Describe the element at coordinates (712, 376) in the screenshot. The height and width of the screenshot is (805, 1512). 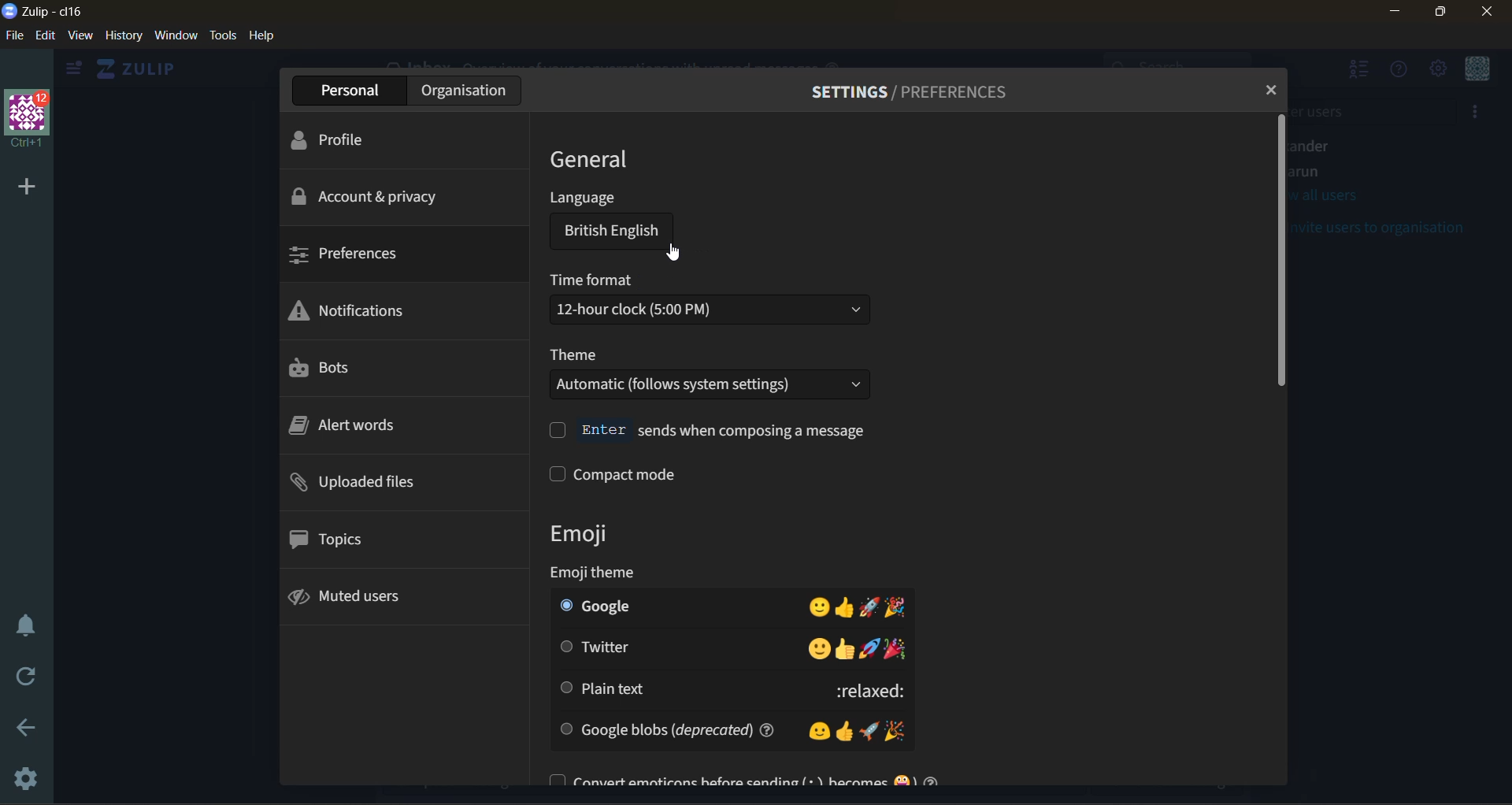
I see `theme` at that location.